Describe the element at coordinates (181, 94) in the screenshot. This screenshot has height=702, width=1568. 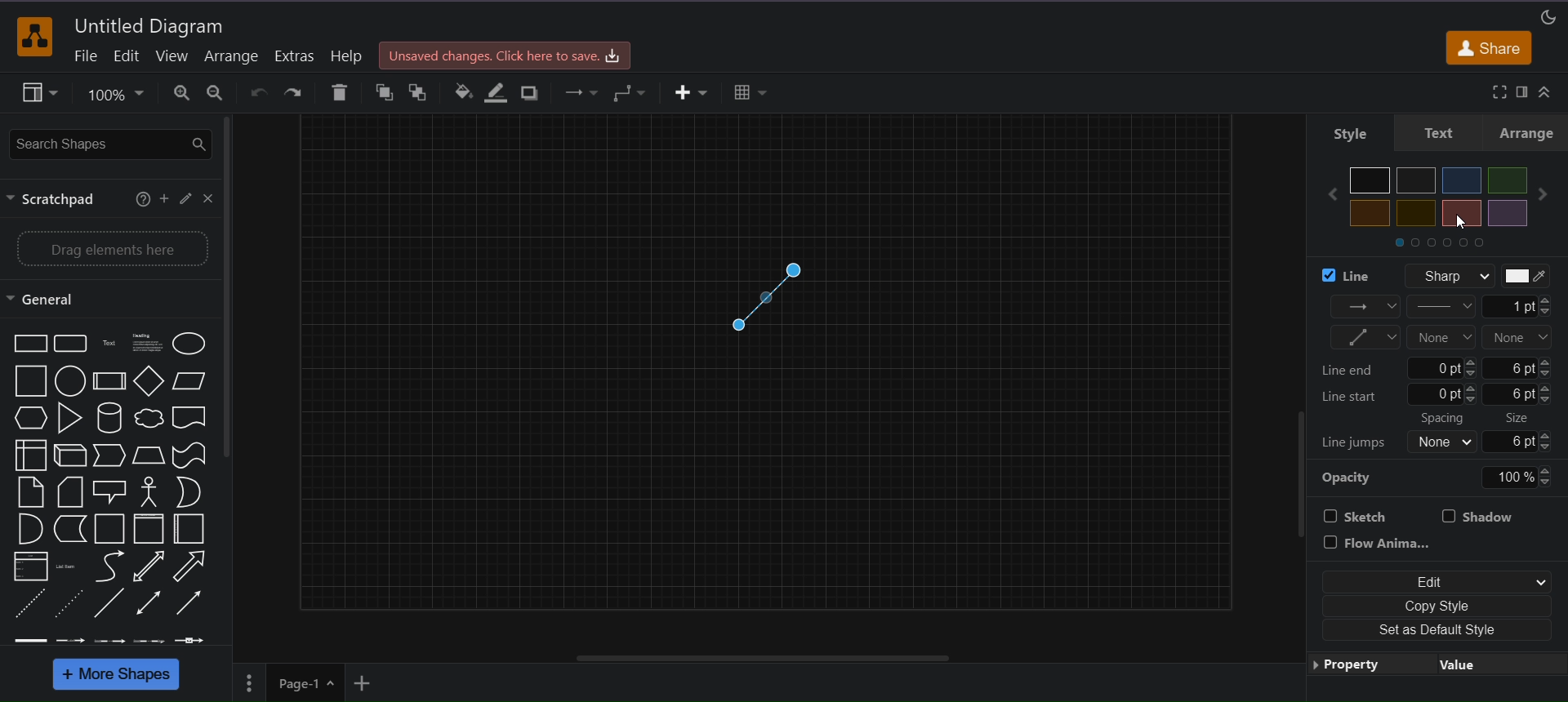
I see `zoom in` at that location.